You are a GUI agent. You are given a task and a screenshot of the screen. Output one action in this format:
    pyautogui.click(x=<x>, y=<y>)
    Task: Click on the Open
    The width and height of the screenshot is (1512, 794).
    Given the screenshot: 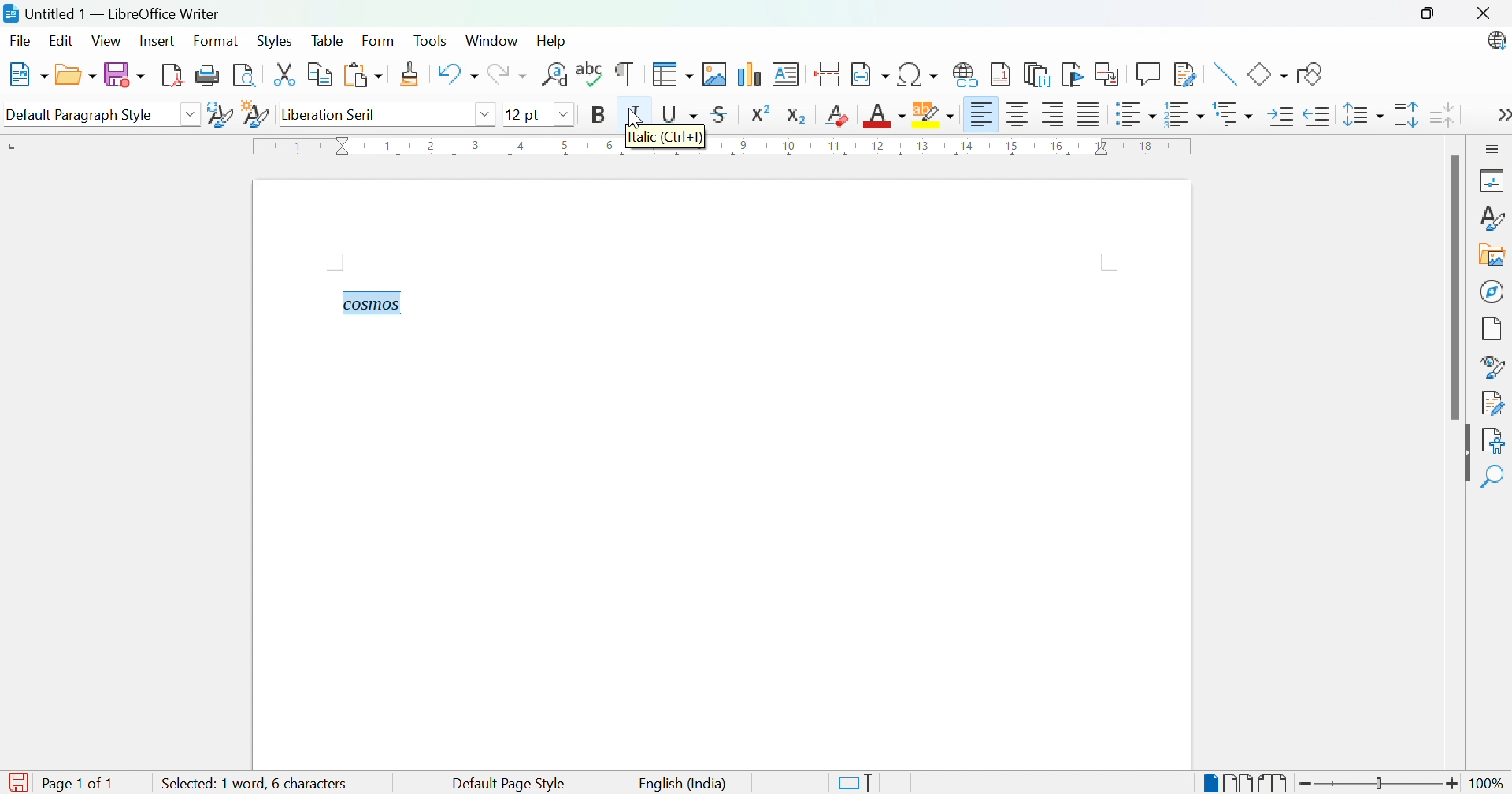 What is the action you would take?
    pyautogui.click(x=76, y=76)
    